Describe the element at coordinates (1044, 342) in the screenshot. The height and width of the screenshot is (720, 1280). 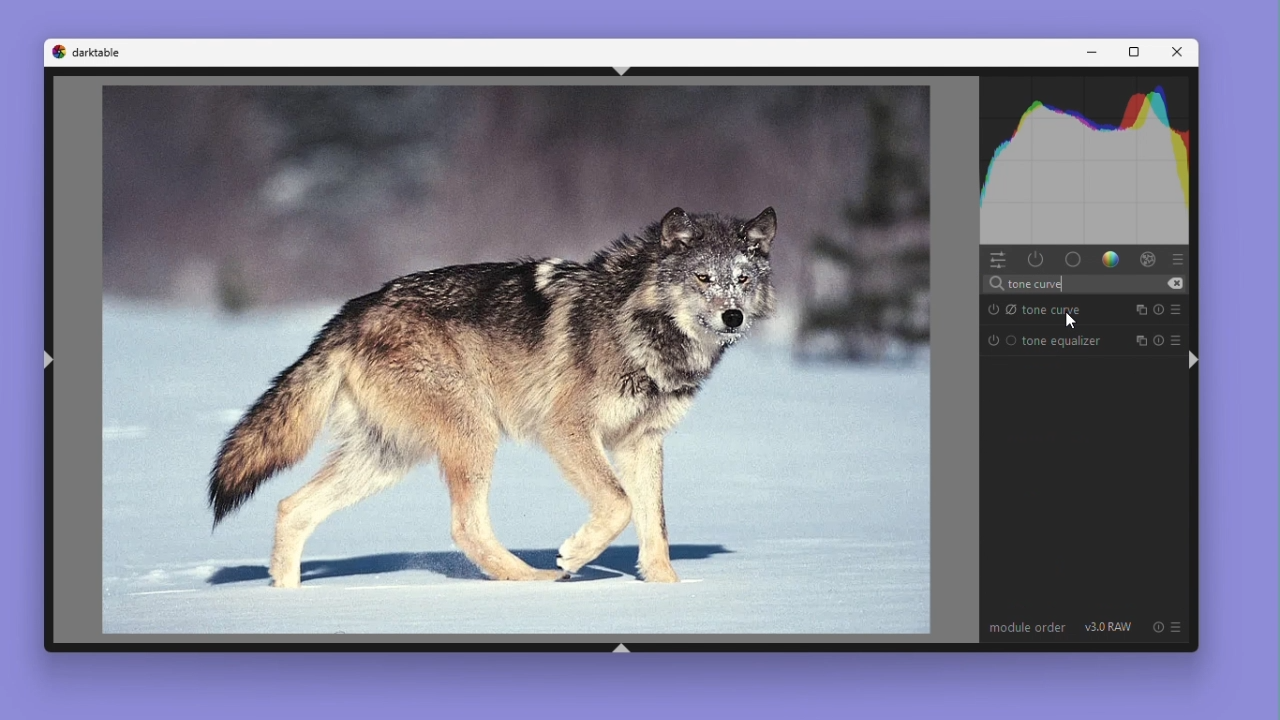
I see `Tone equaliser` at that location.